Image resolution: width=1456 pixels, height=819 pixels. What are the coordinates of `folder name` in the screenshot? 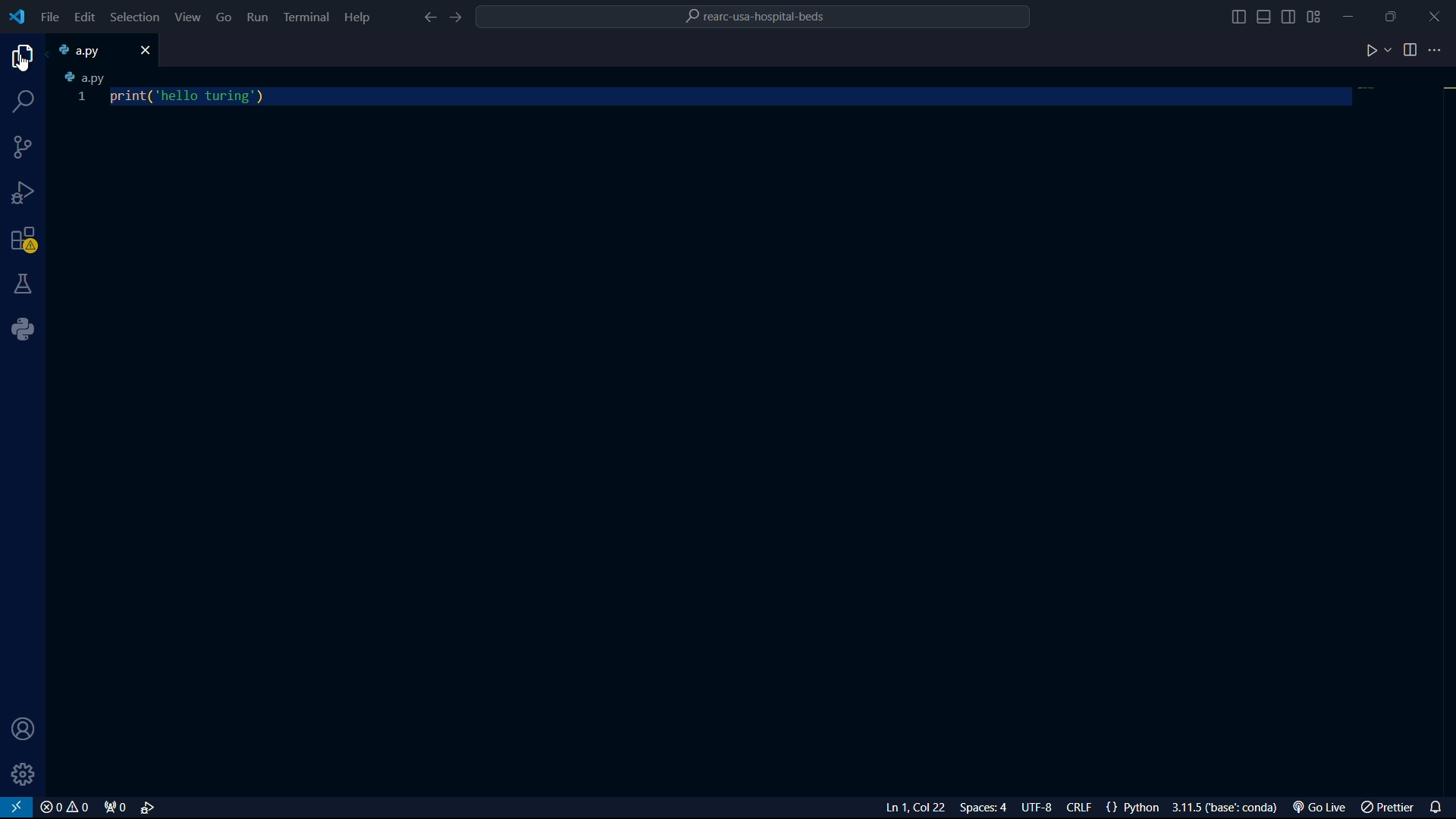 It's located at (755, 19).